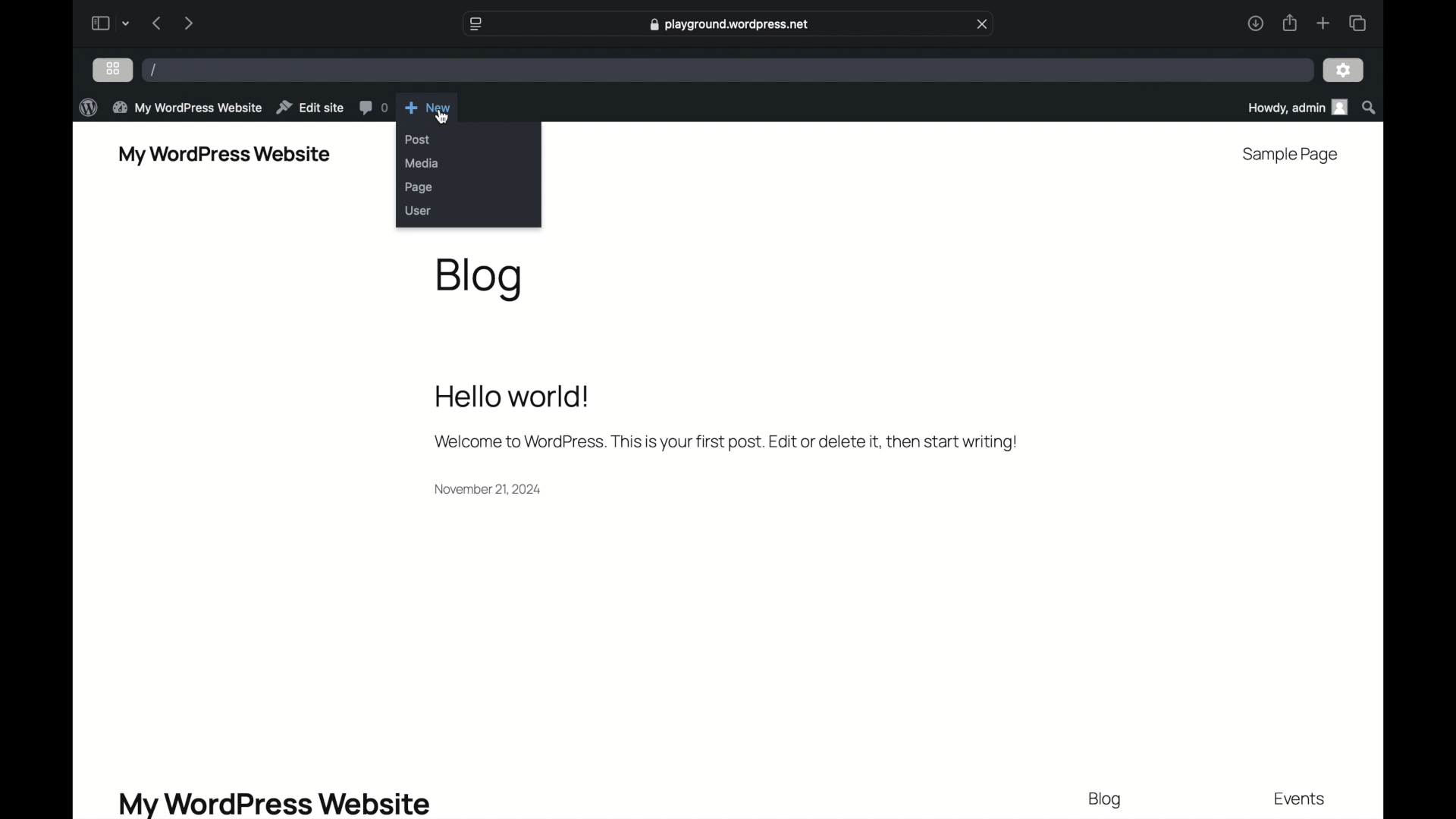 This screenshot has height=819, width=1456. Describe the element at coordinates (474, 24) in the screenshot. I see `website settings` at that location.